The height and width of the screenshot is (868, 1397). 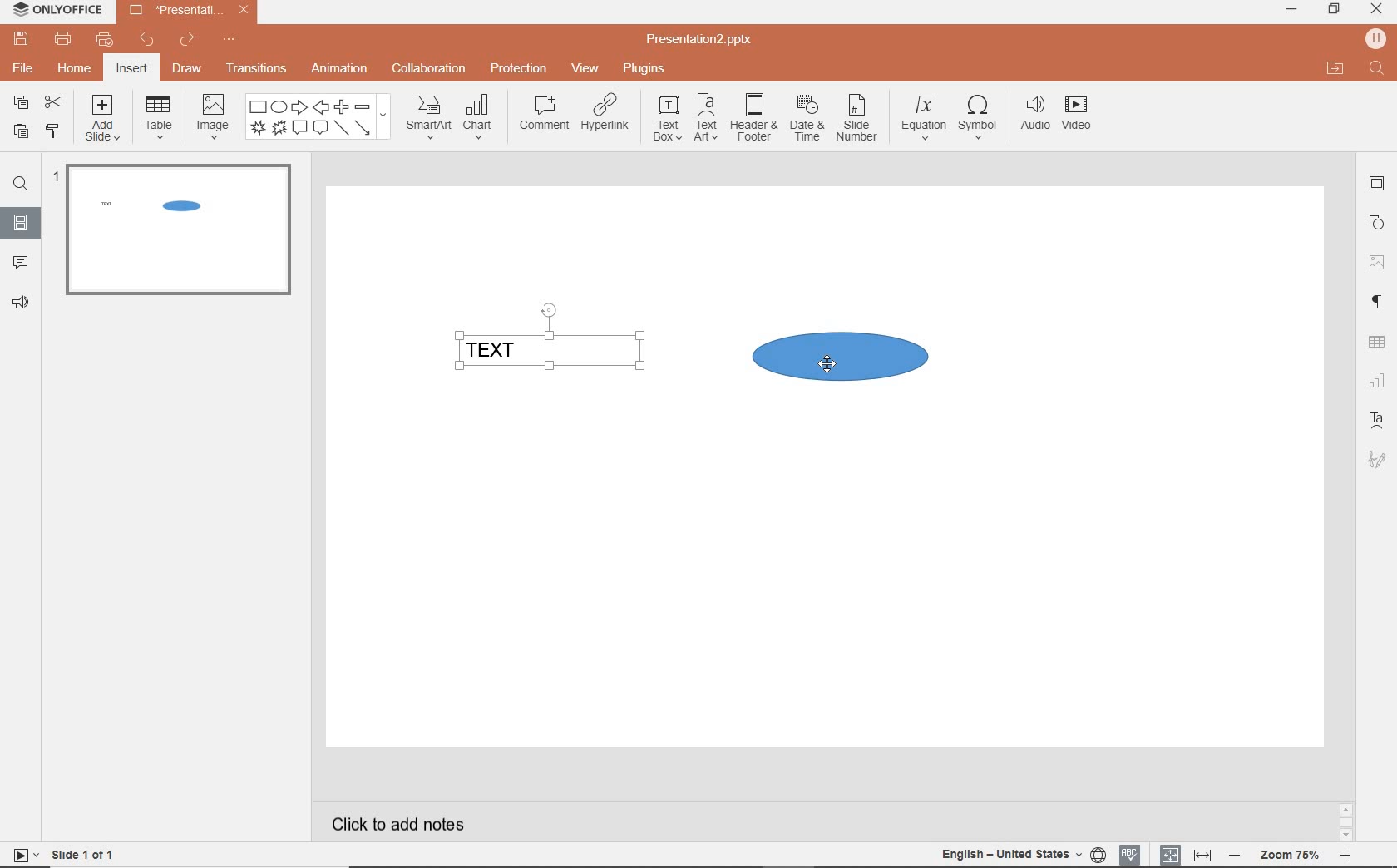 What do you see at coordinates (1032, 117) in the screenshot?
I see `audio` at bounding box center [1032, 117].